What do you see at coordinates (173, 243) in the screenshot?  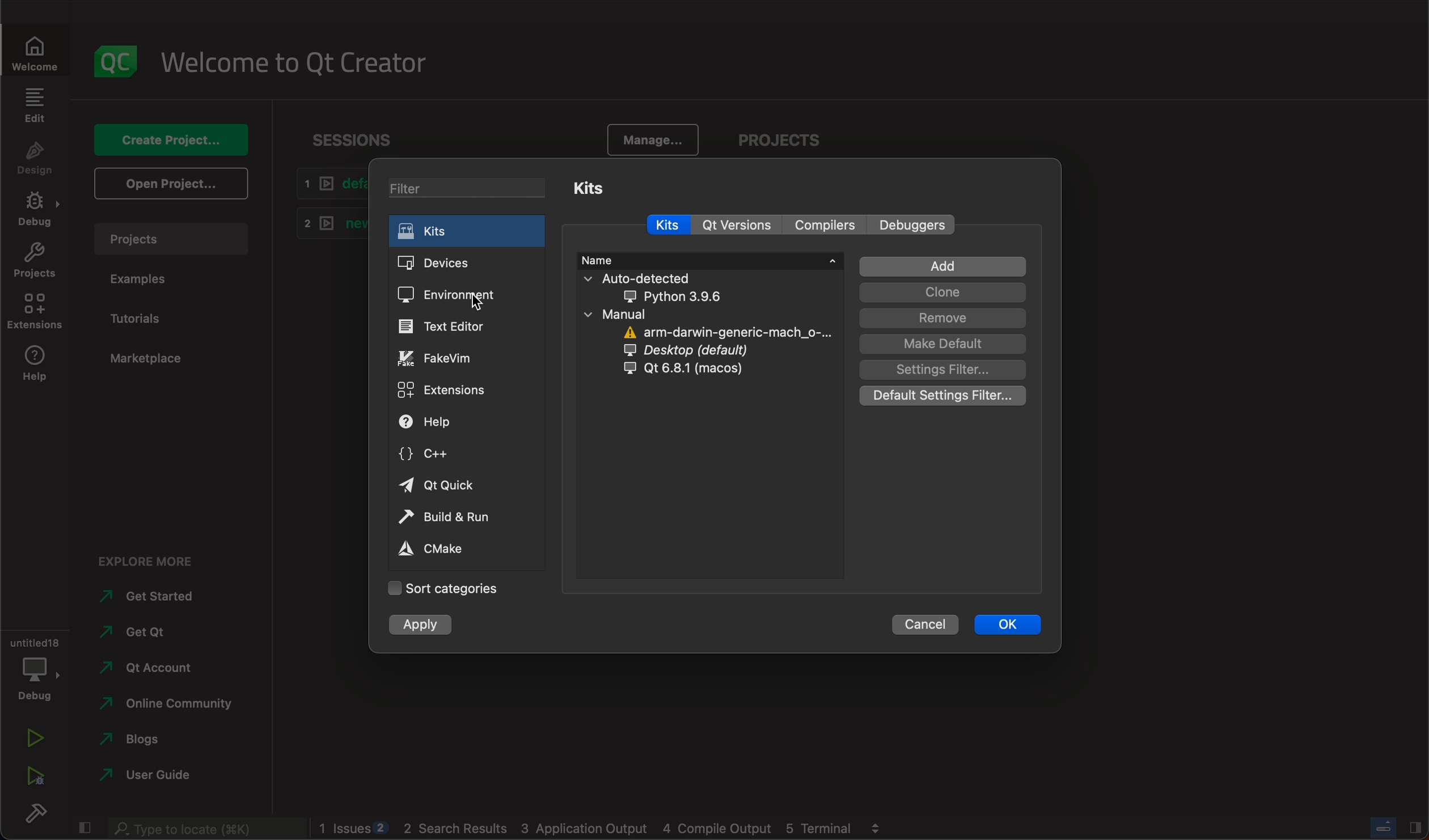 I see `project` at bounding box center [173, 243].